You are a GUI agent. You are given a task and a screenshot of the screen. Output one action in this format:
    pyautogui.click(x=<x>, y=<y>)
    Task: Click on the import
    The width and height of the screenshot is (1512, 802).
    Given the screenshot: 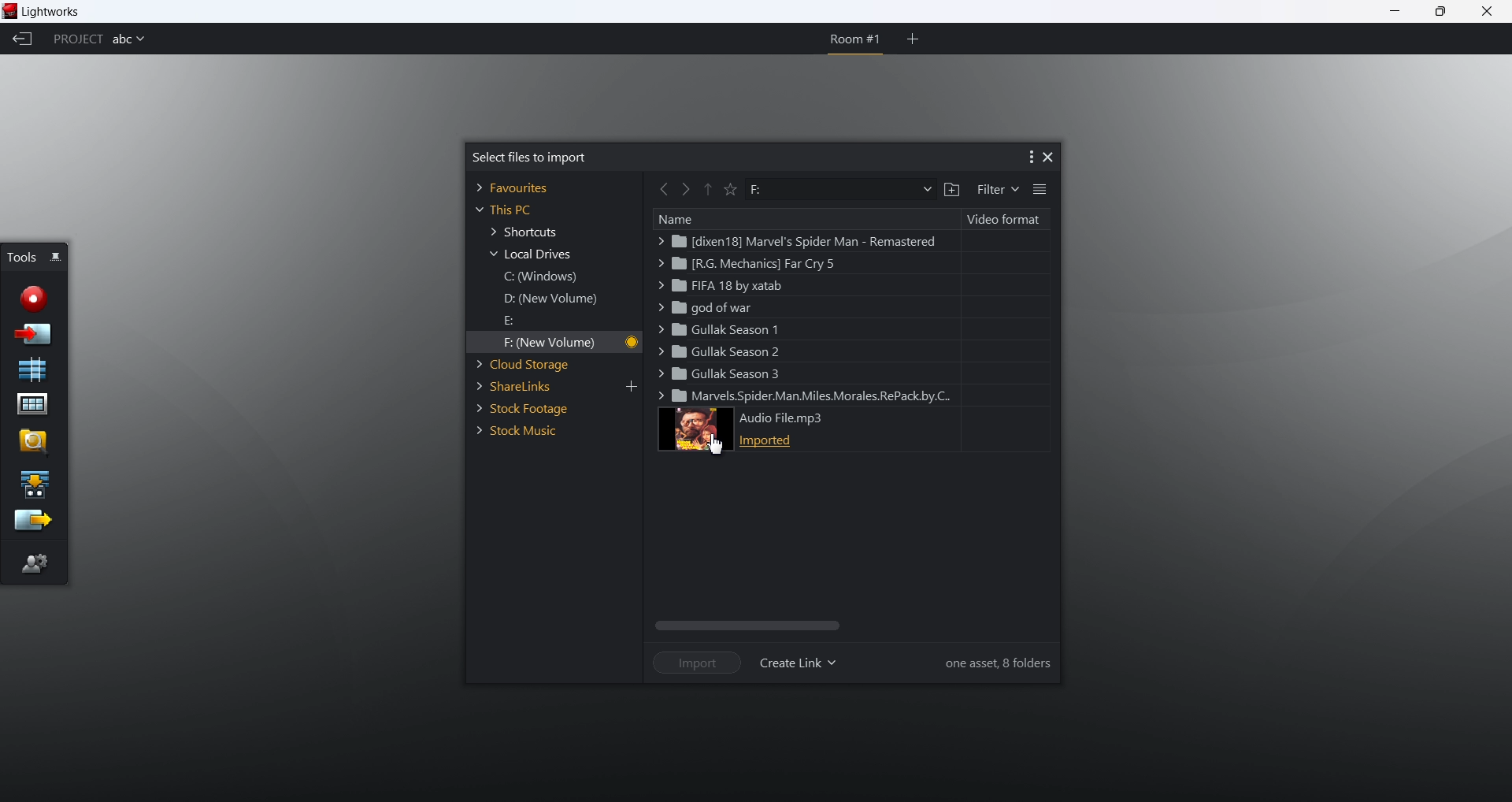 What is the action you would take?
    pyautogui.click(x=35, y=333)
    